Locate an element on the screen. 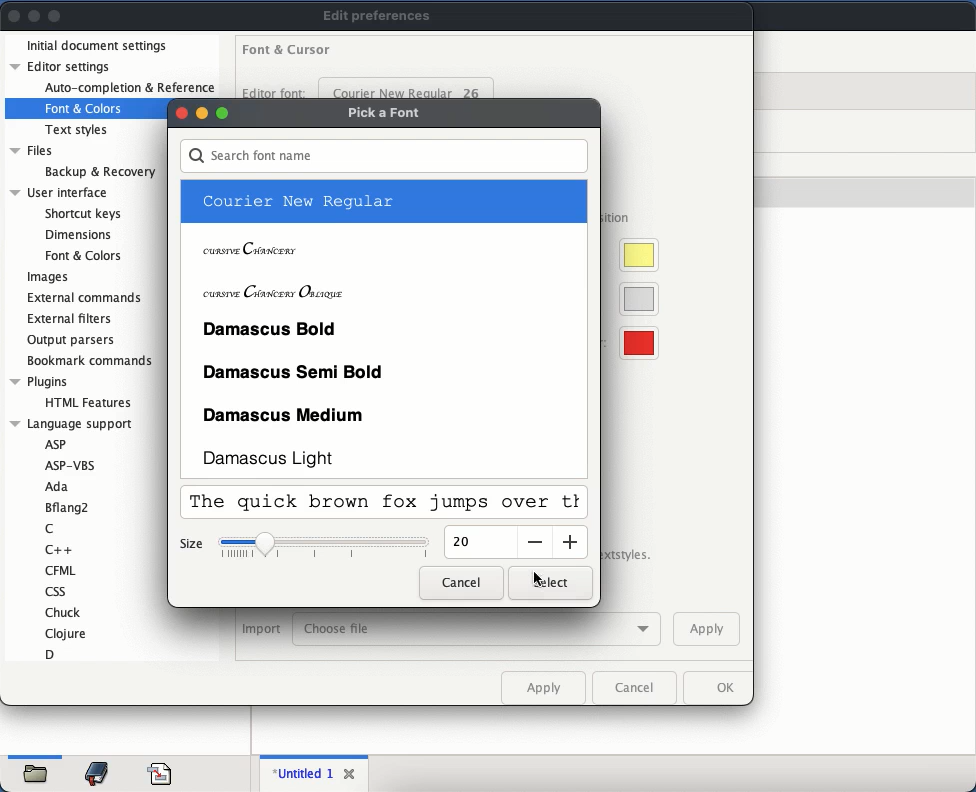 This screenshot has height=792, width=976. minimize is located at coordinates (201, 113).